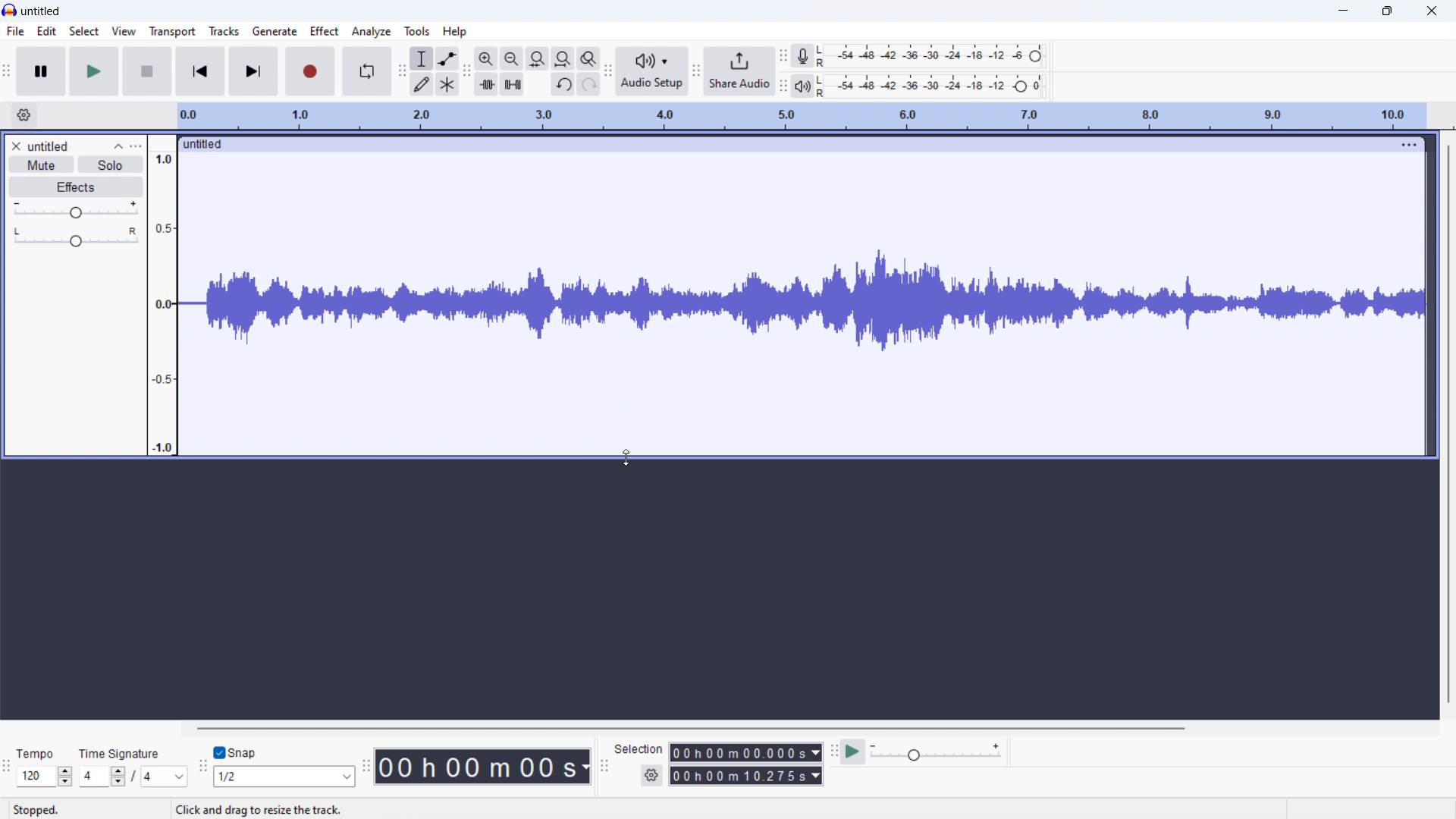 Image resolution: width=1456 pixels, height=819 pixels. I want to click on enable loop, so click(367, 71).